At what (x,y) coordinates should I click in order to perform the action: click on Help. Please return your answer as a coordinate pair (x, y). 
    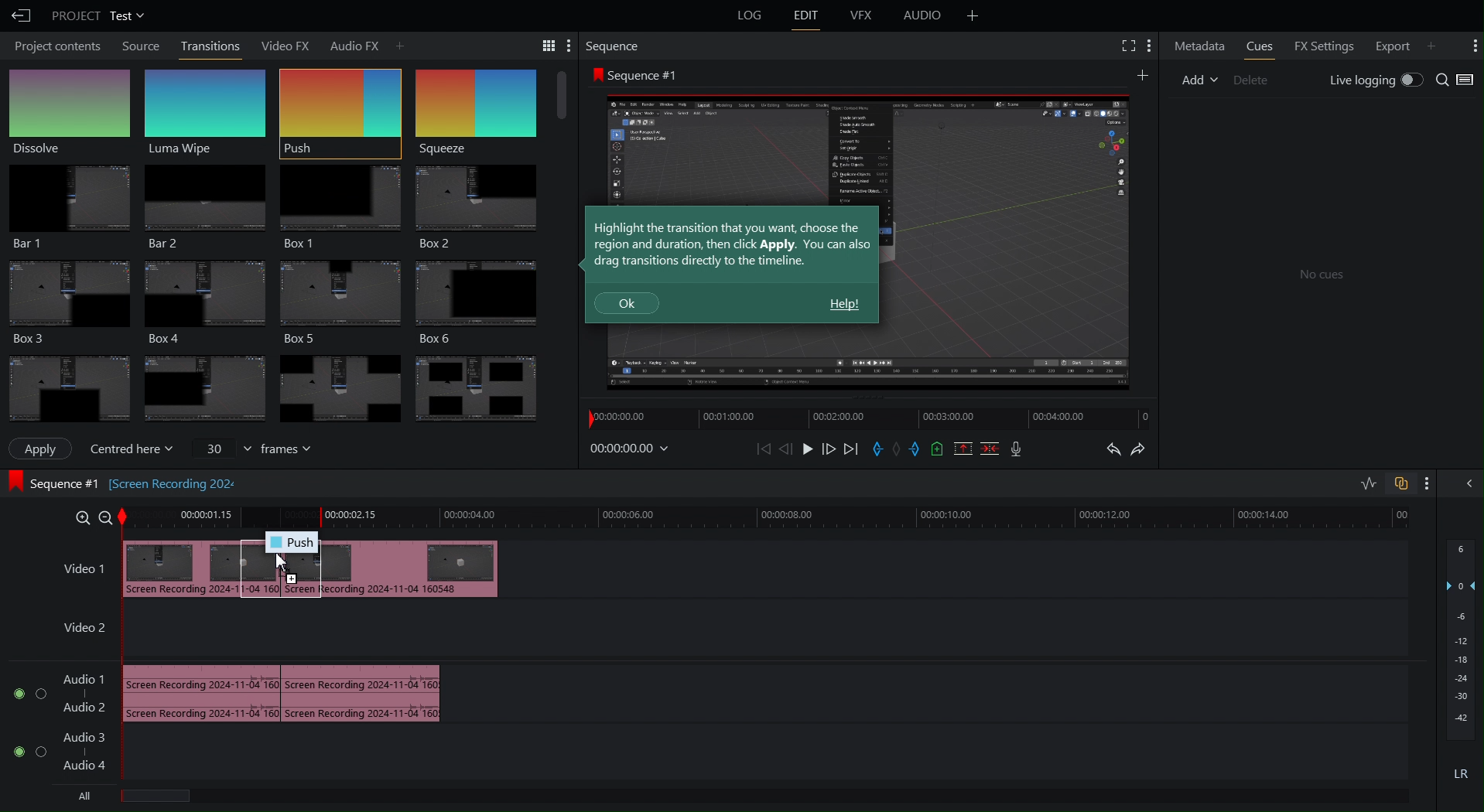
    Looking at the image, I should click on (844, 305).